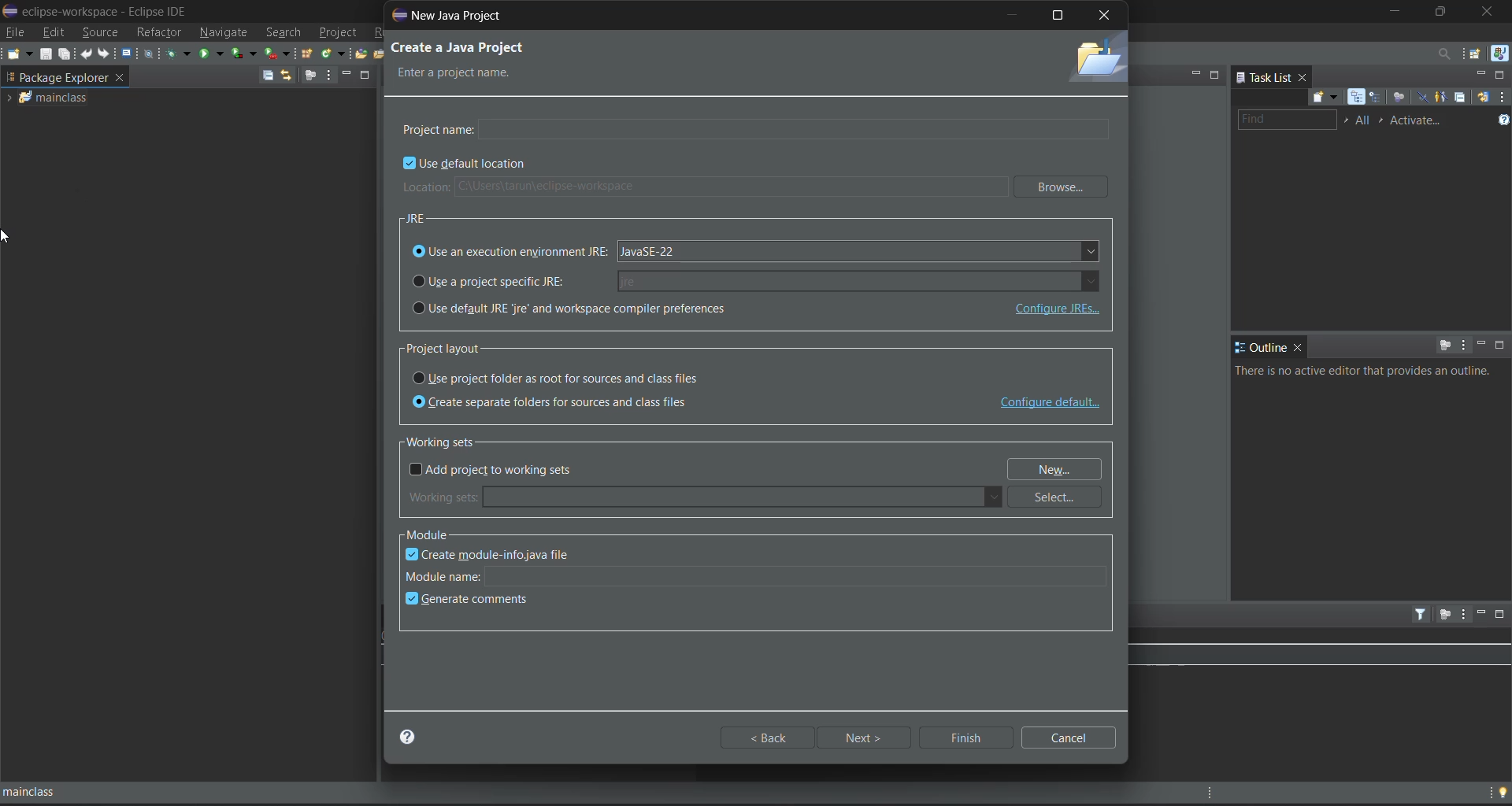  I want to click on use a project specific jre, so click(757, 279).